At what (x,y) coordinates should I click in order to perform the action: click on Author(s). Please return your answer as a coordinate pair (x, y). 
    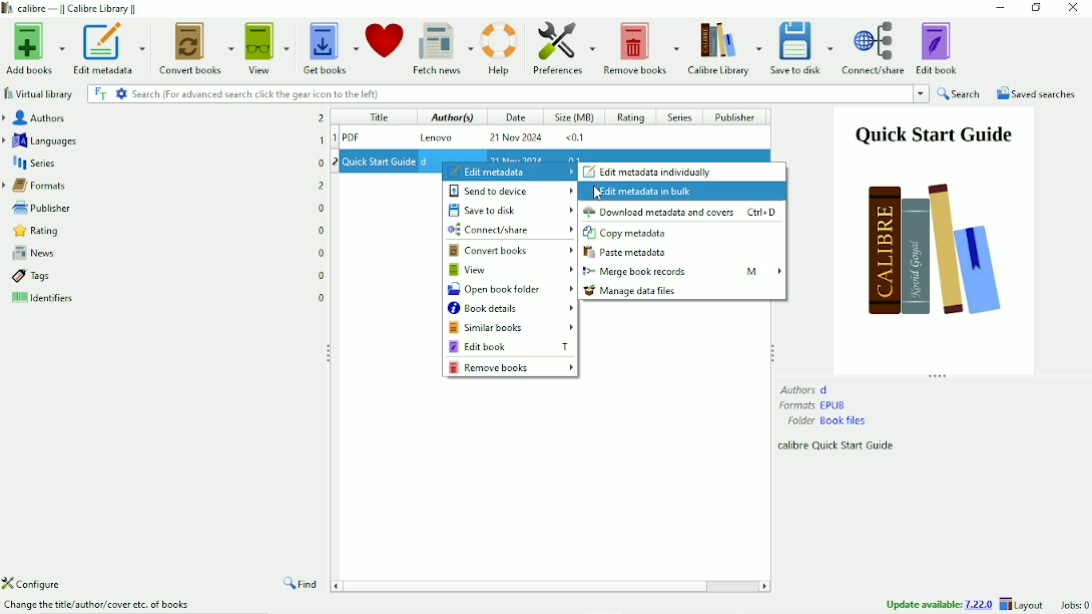
    Looking at the image, I should click on (447, 119).